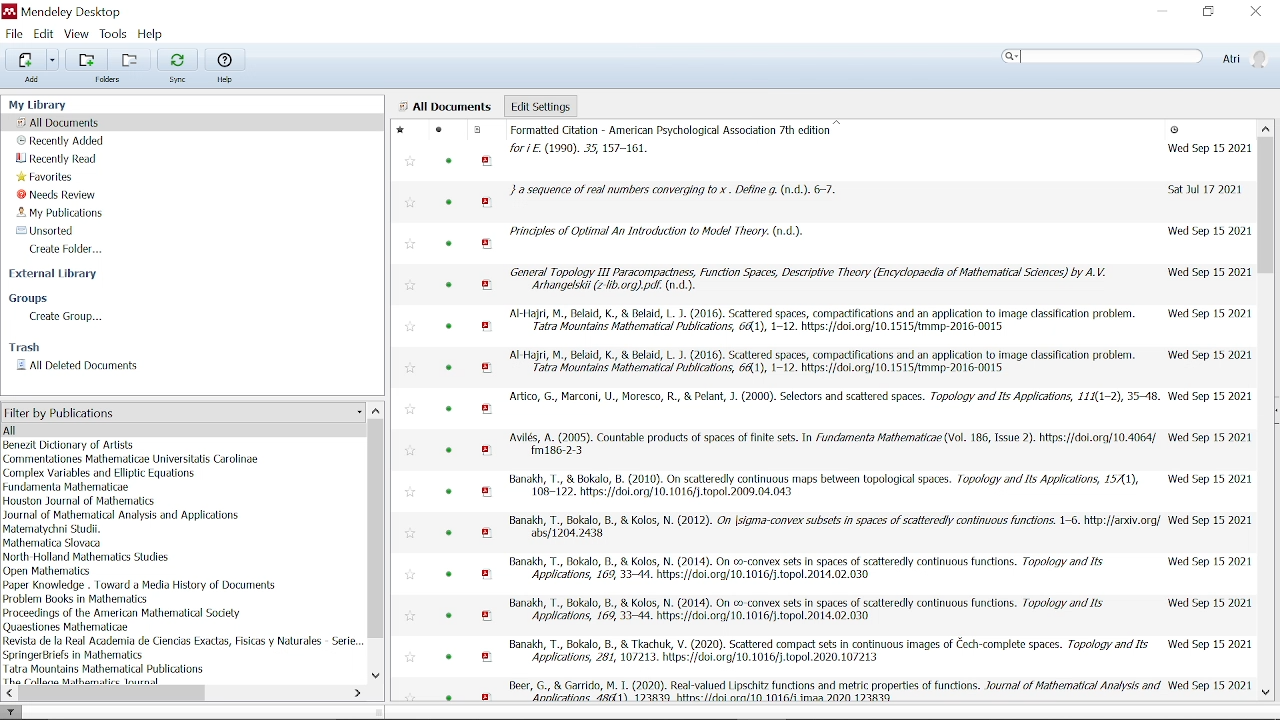  I want to click on favourite, so click(412, 286).